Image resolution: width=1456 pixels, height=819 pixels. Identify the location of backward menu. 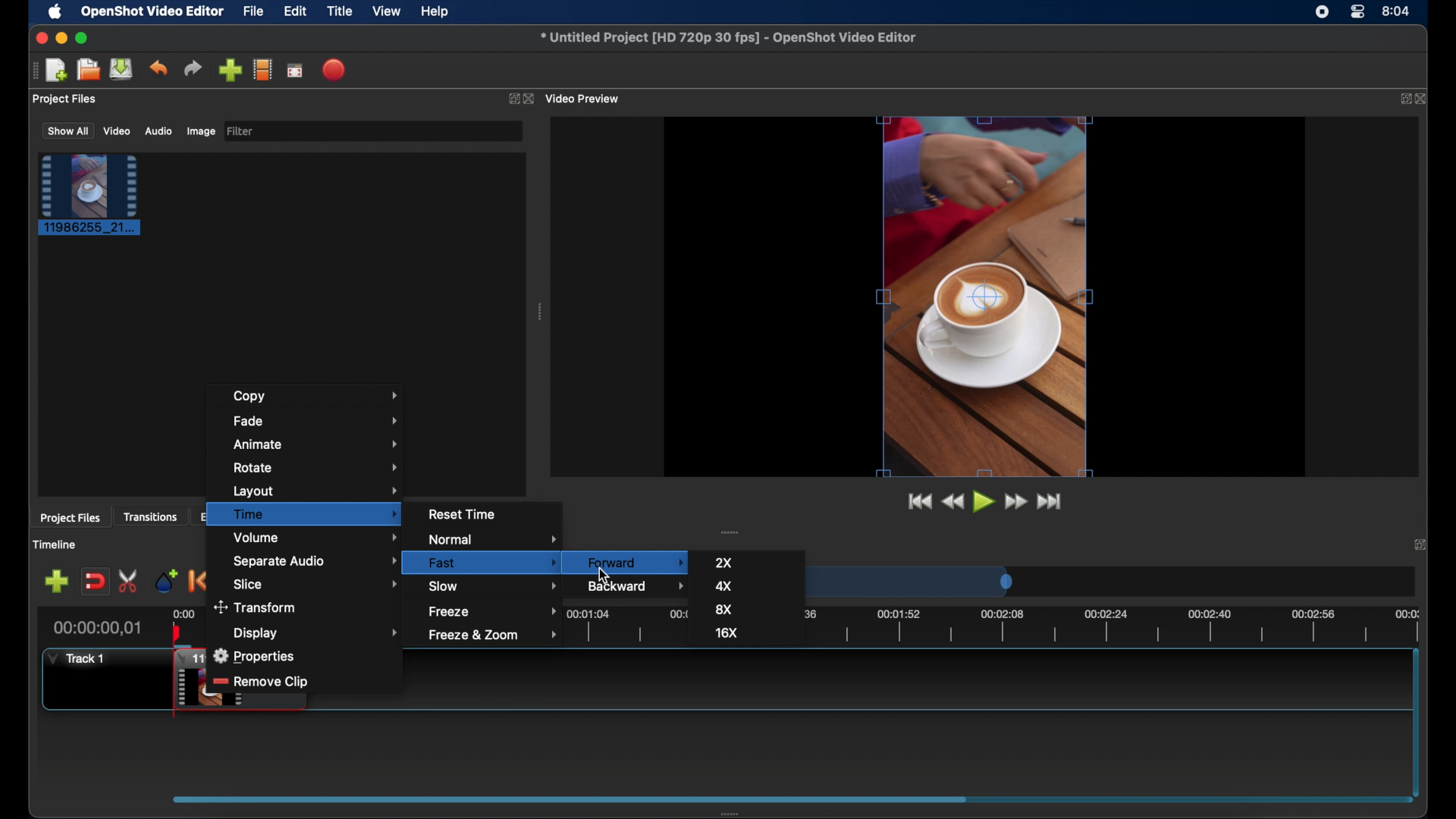
(639, 585).